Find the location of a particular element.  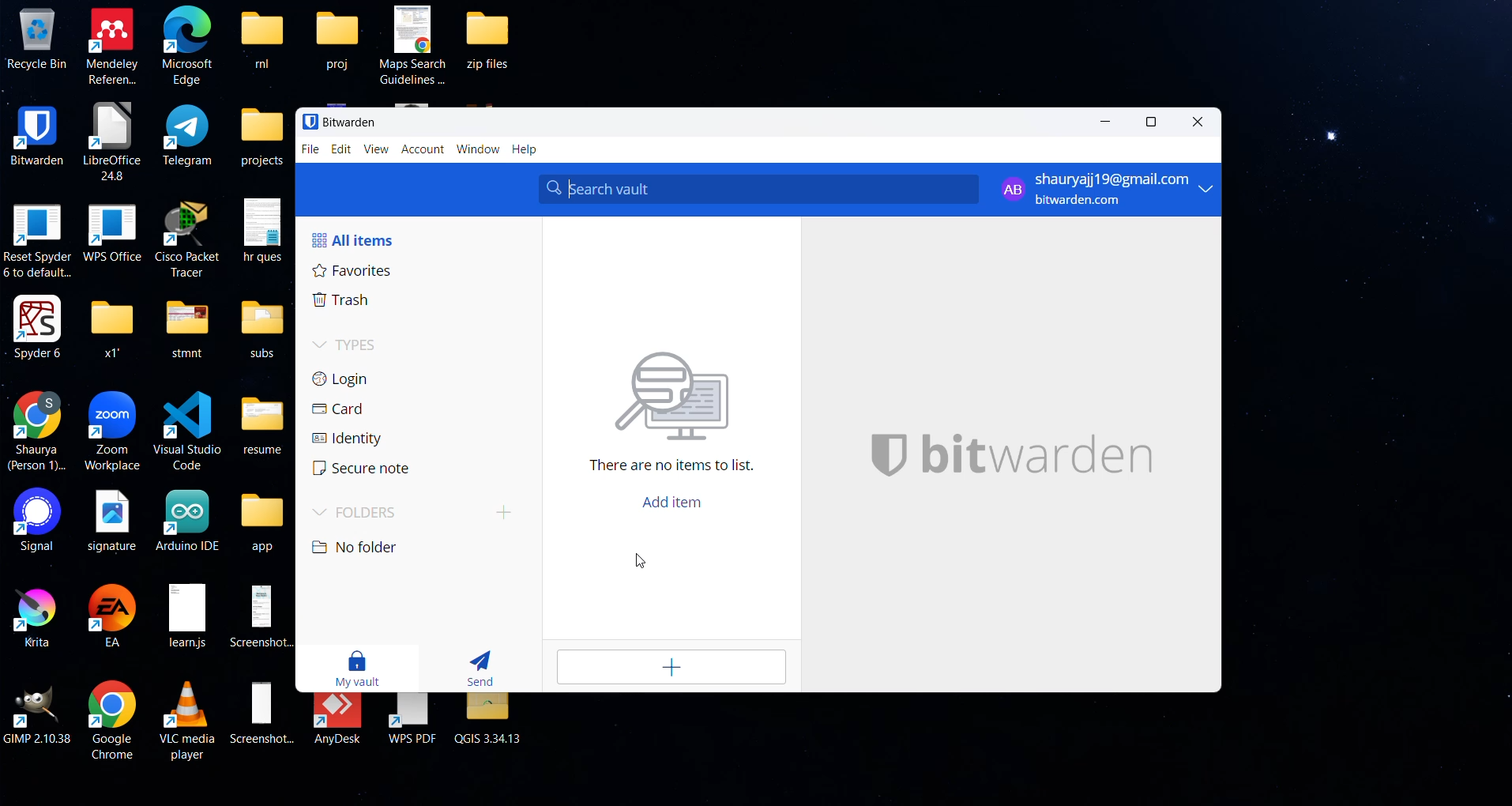

LibreOffice 24.8 is located at coordinates (111, 141).